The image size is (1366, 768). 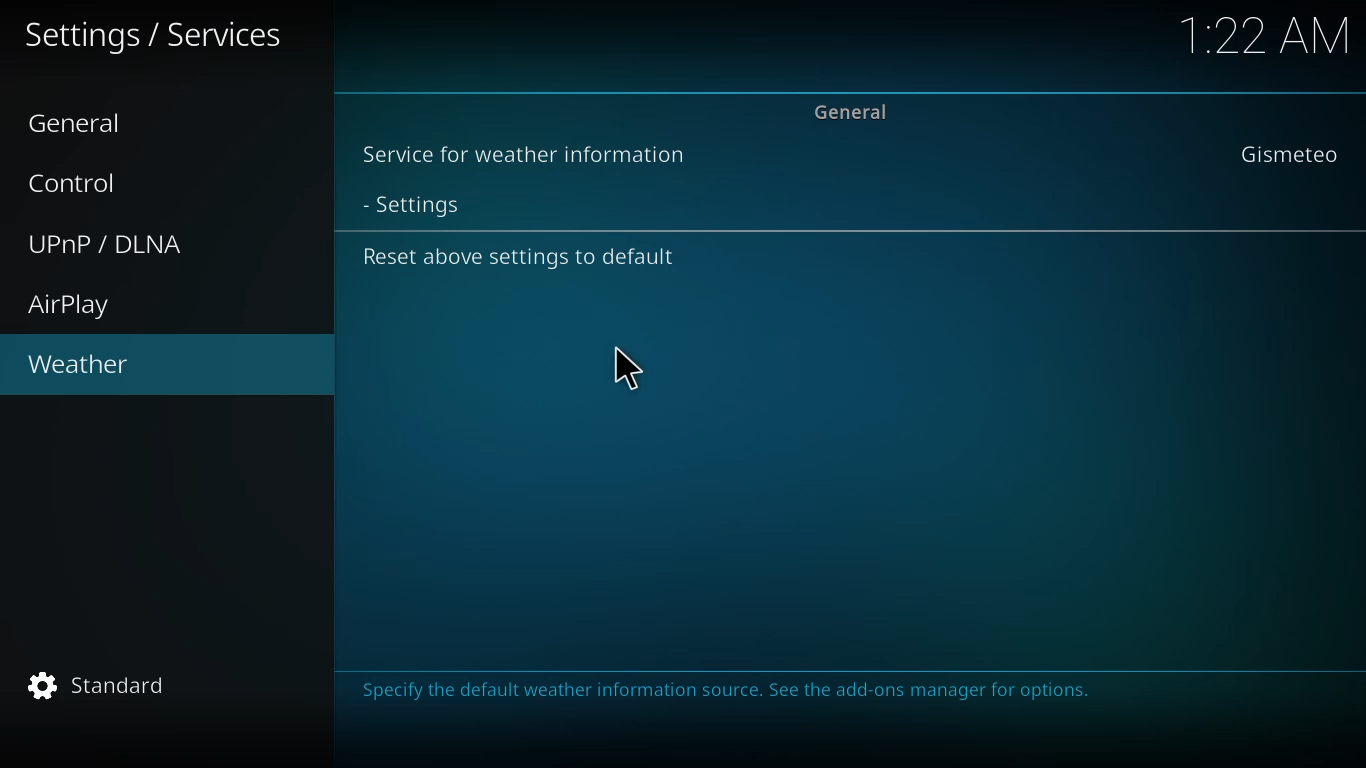 What do you see at coordinates (426, 205) in the screenshot?
I see `settings` at bounding box center [426, 205].